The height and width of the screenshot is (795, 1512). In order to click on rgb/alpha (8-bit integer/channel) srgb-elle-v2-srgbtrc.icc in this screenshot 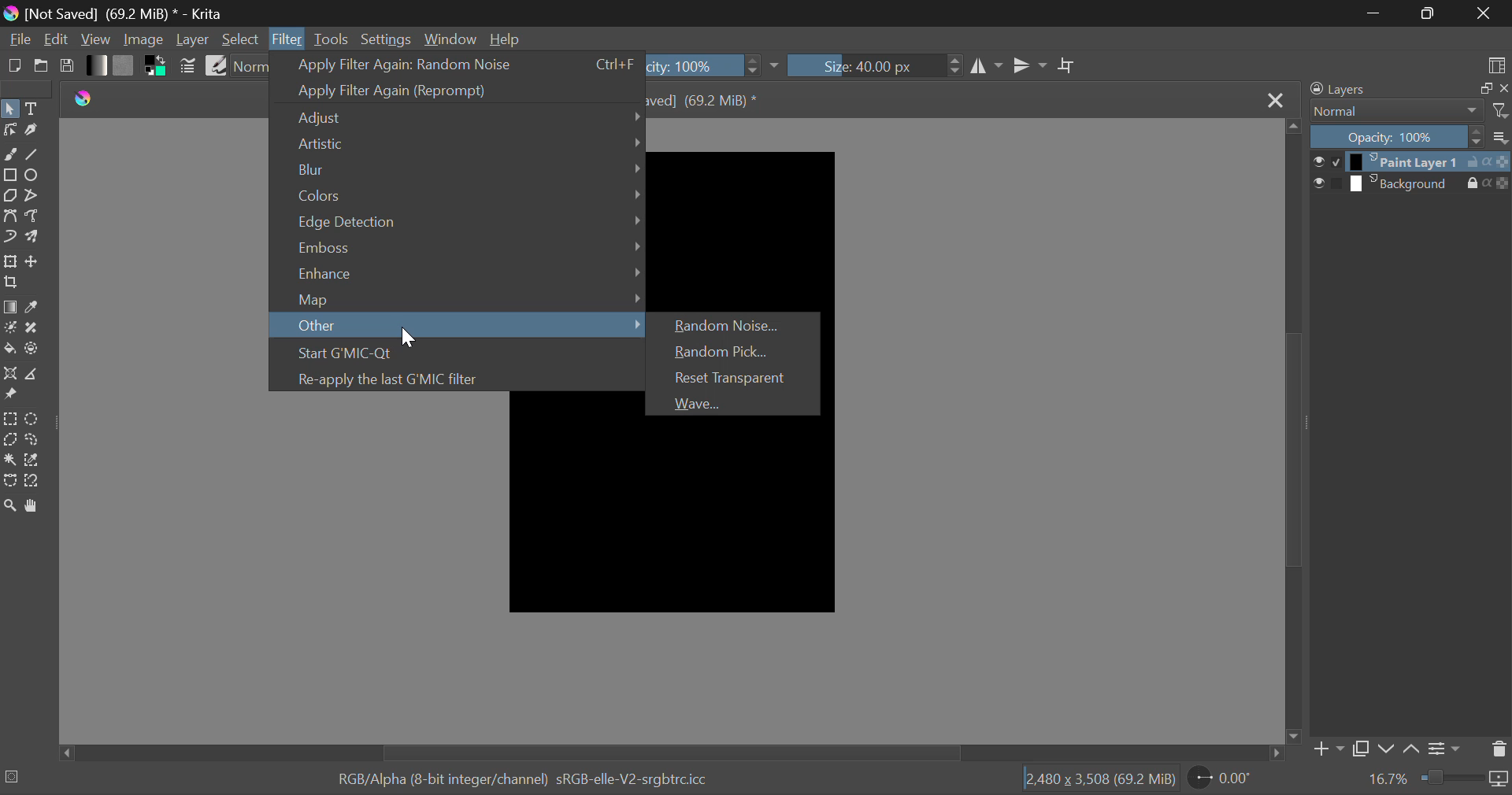, I will do `click(531, 781)`.